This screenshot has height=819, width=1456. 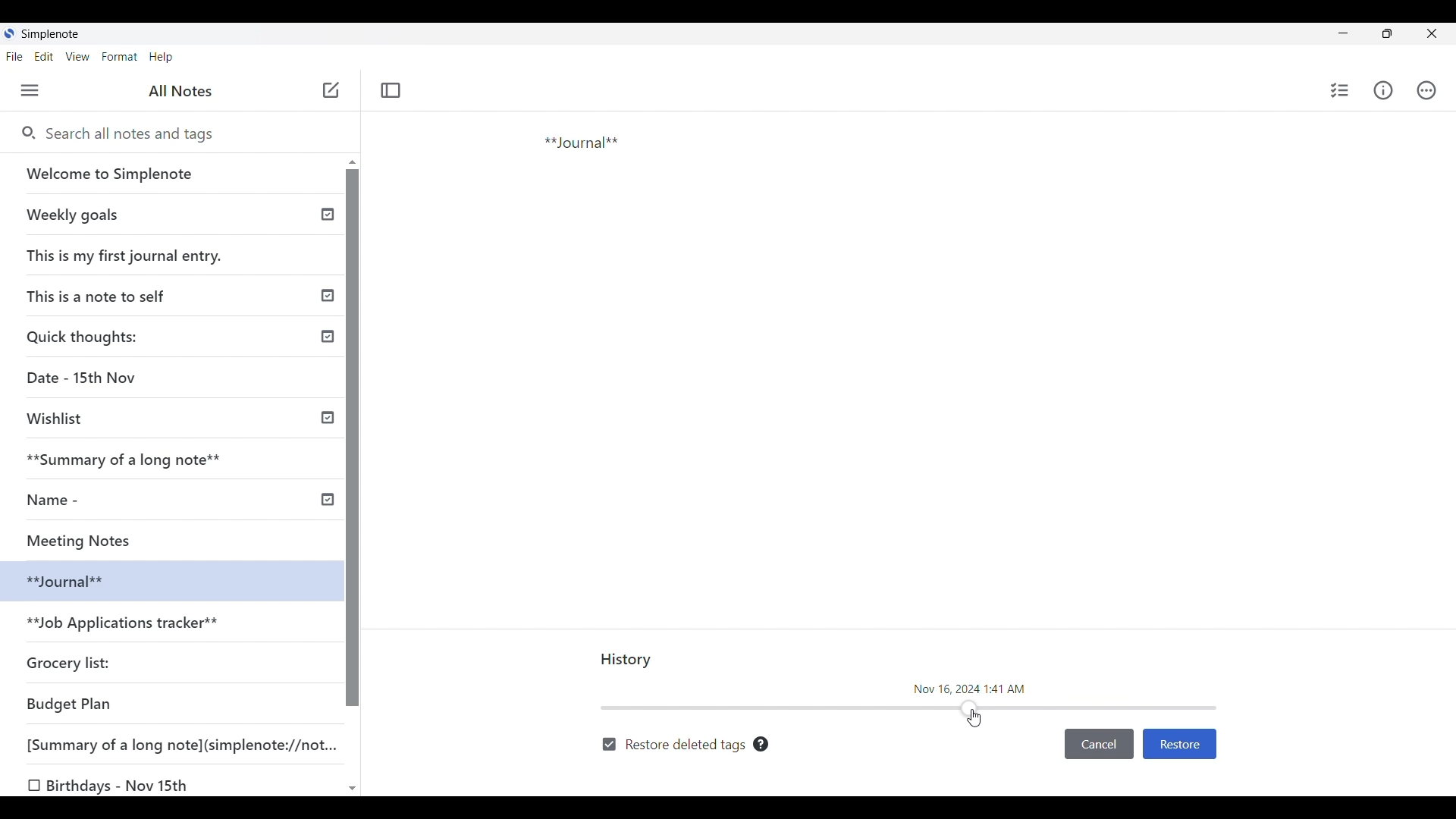 What do you see at coordinates (167, 579) in the screenshot?
I see `selected note` at bounding box center [167, 579].